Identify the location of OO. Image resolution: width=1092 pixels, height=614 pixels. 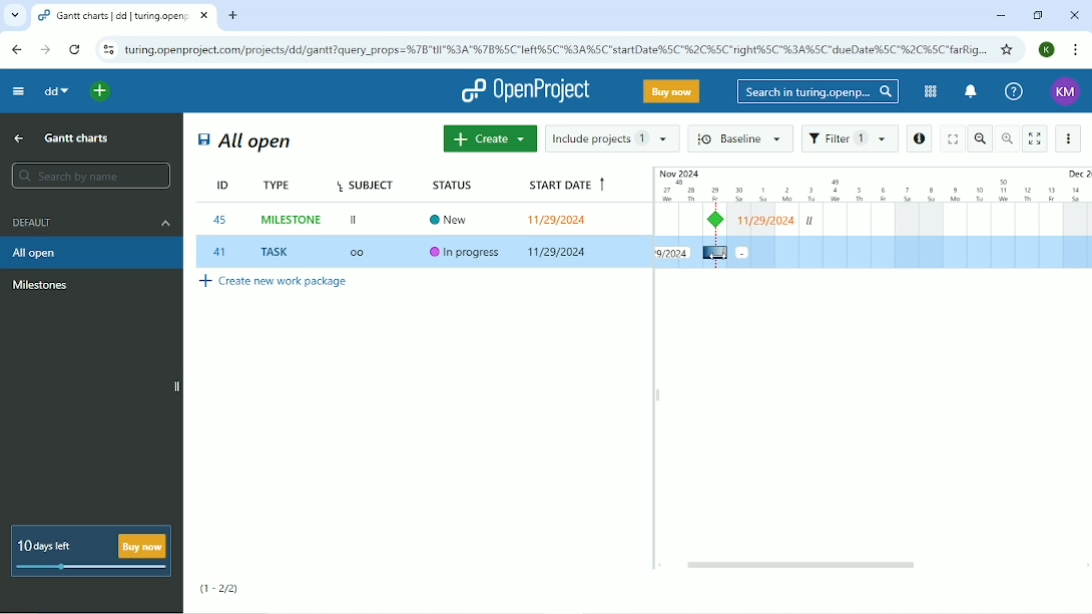
(363, 254).